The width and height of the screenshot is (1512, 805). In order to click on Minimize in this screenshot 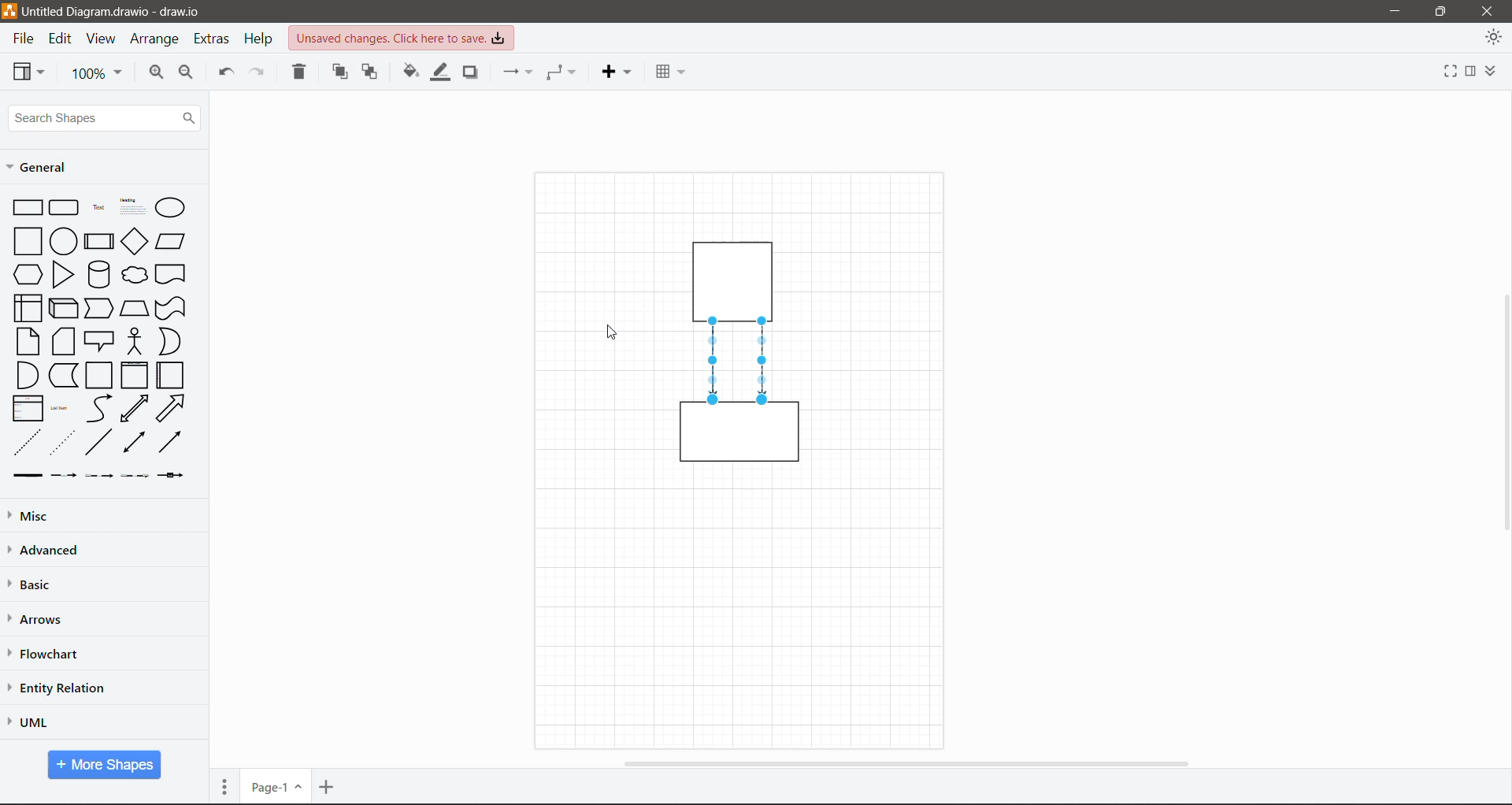, I will do `click(1391, 12)`.